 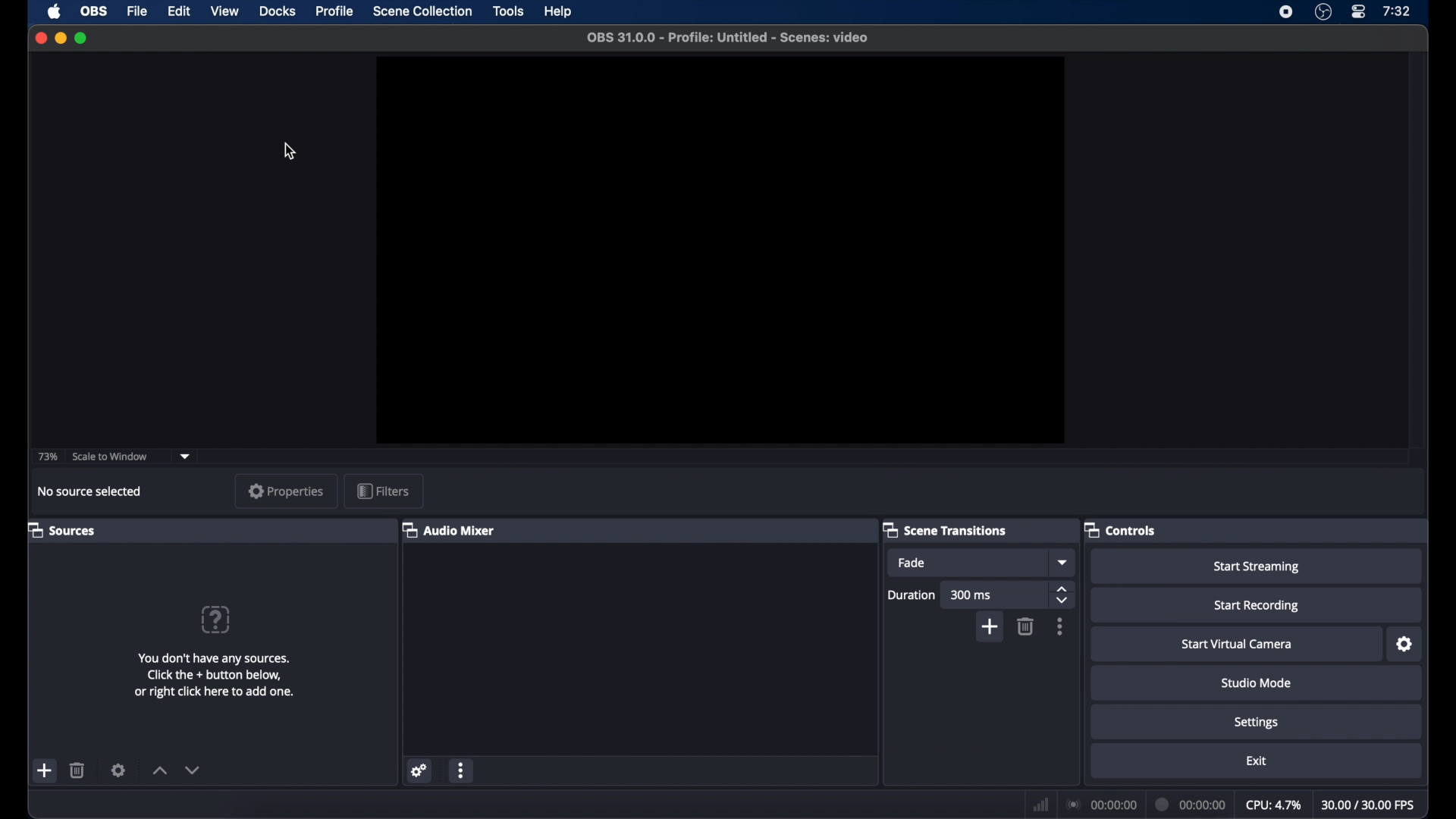 What do you see at coordinates (1255, 683) in the screenshot?
I see `studio mode` at bounding box center [1255, 683].